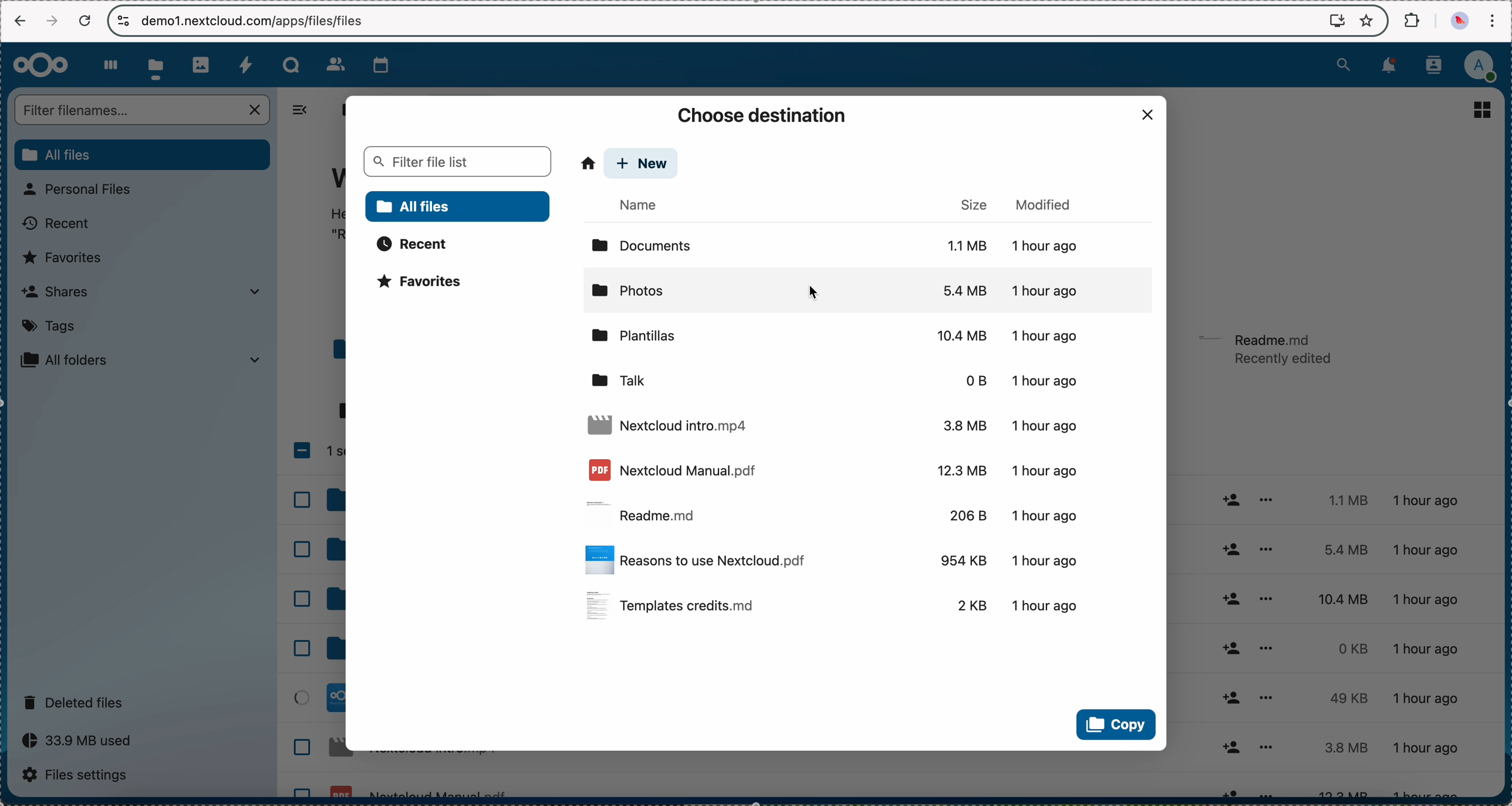 This screenshot has height=806, width=1512. I want to click on deleted files, so click(78, 701).